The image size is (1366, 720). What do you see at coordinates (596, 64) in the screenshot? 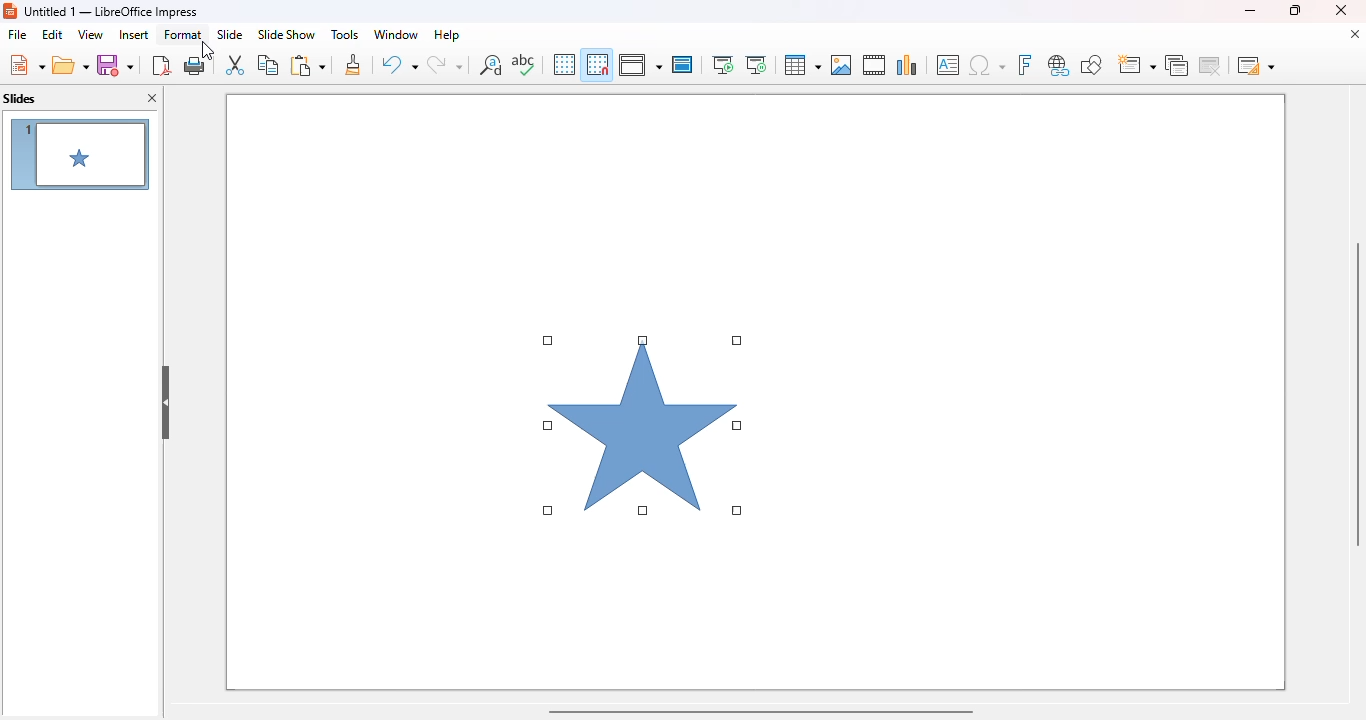
I see `snap to grid` at bounding box center [596, 64].